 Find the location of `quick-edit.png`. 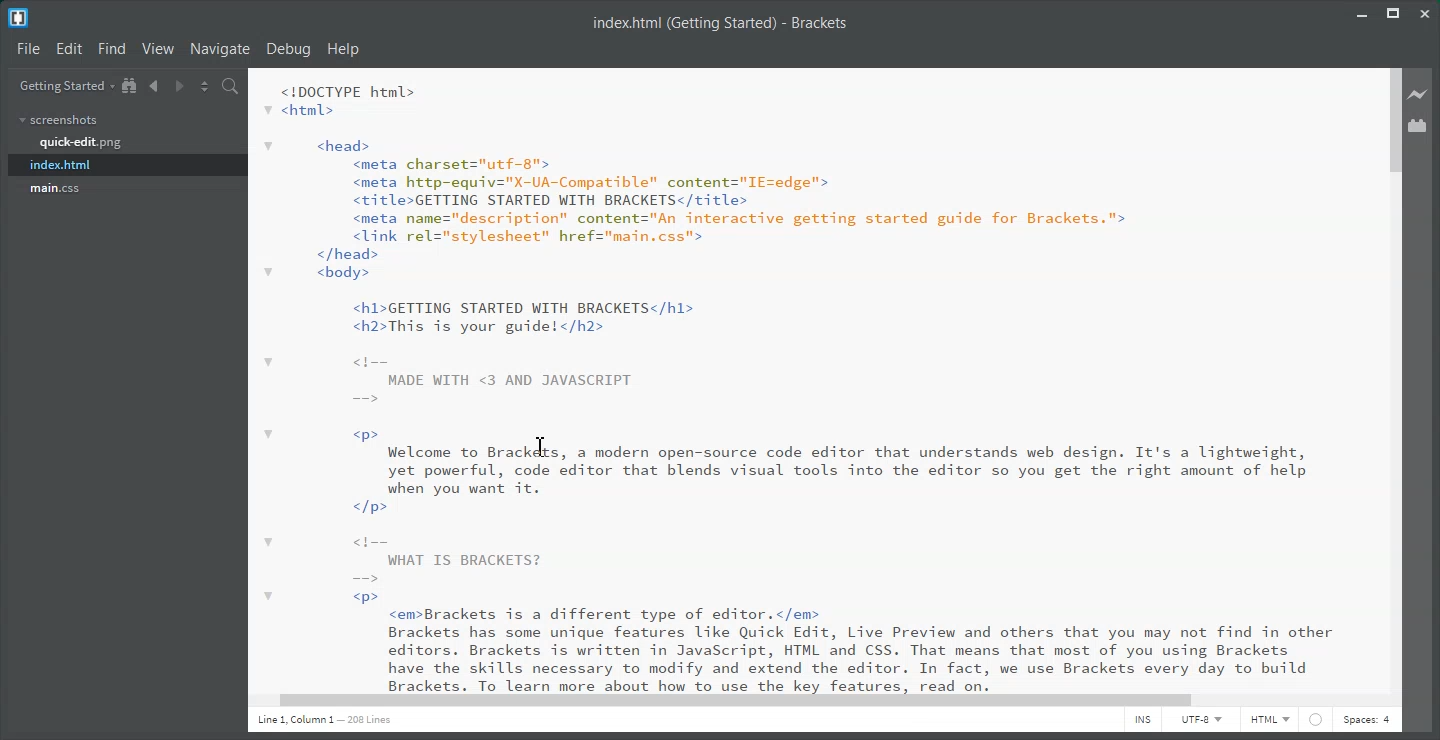

quick-edit.png is located at coordinates (80, 143).